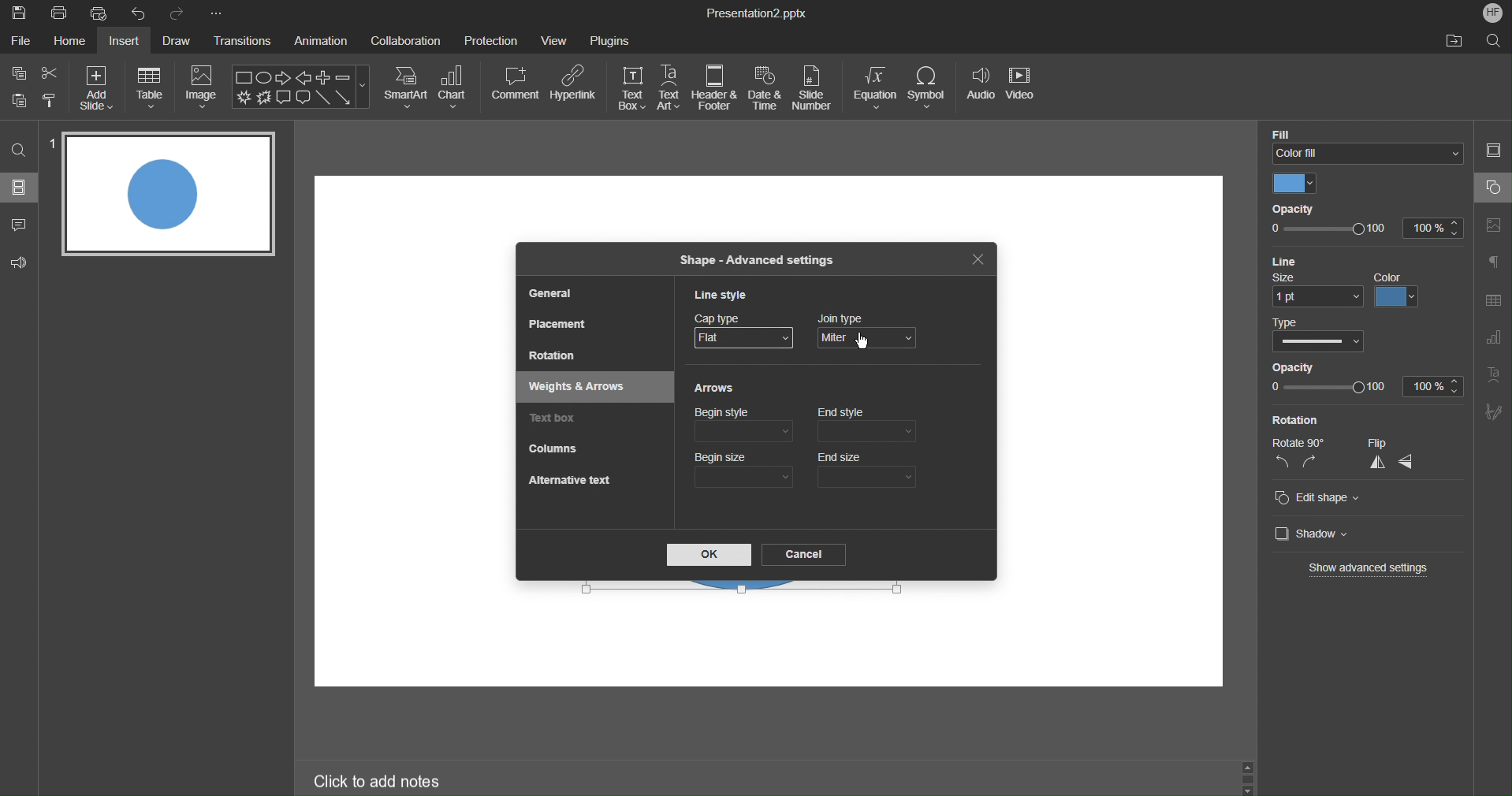 The height and width of the screenshot is (796, 1512). What do you see at coordinates (1281, 464) in the screenshot?
I see `left` at bounding box center [1281, 464].